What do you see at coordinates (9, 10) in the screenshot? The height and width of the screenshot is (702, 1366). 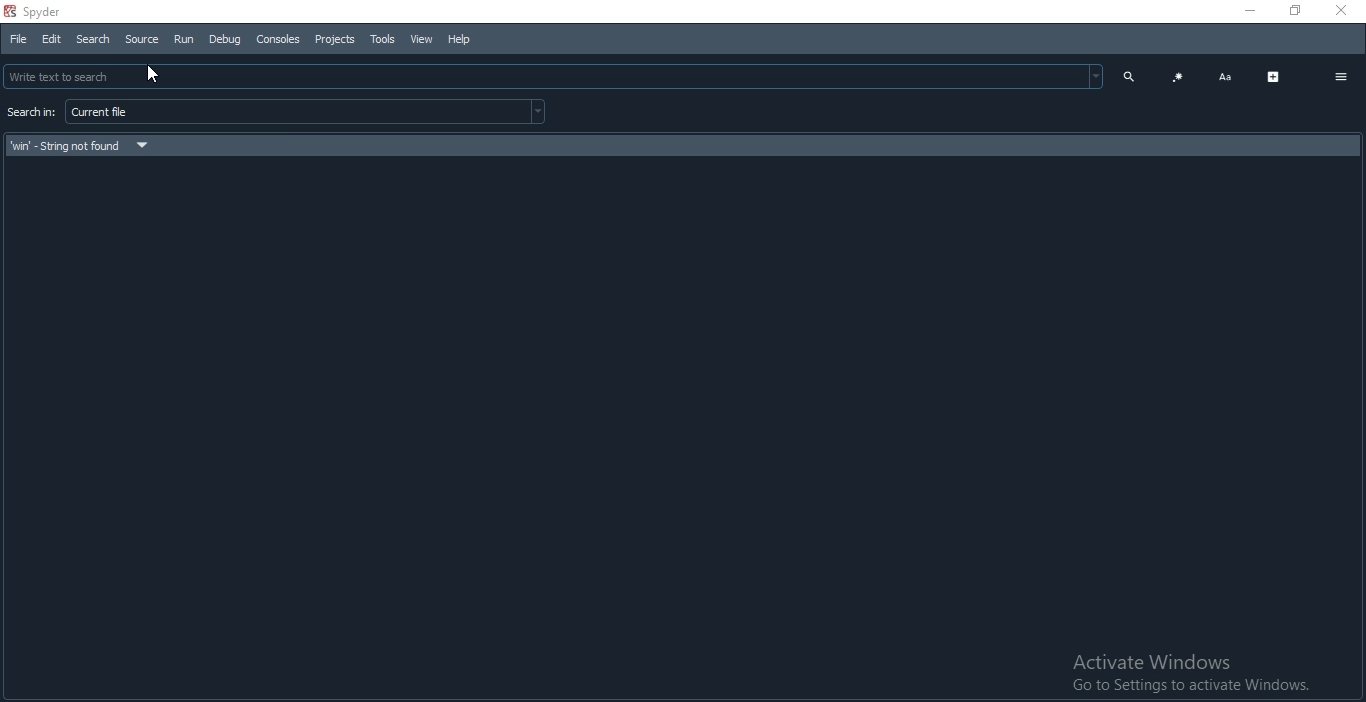 I see `spyder logo` at bounding box center [9, 10].